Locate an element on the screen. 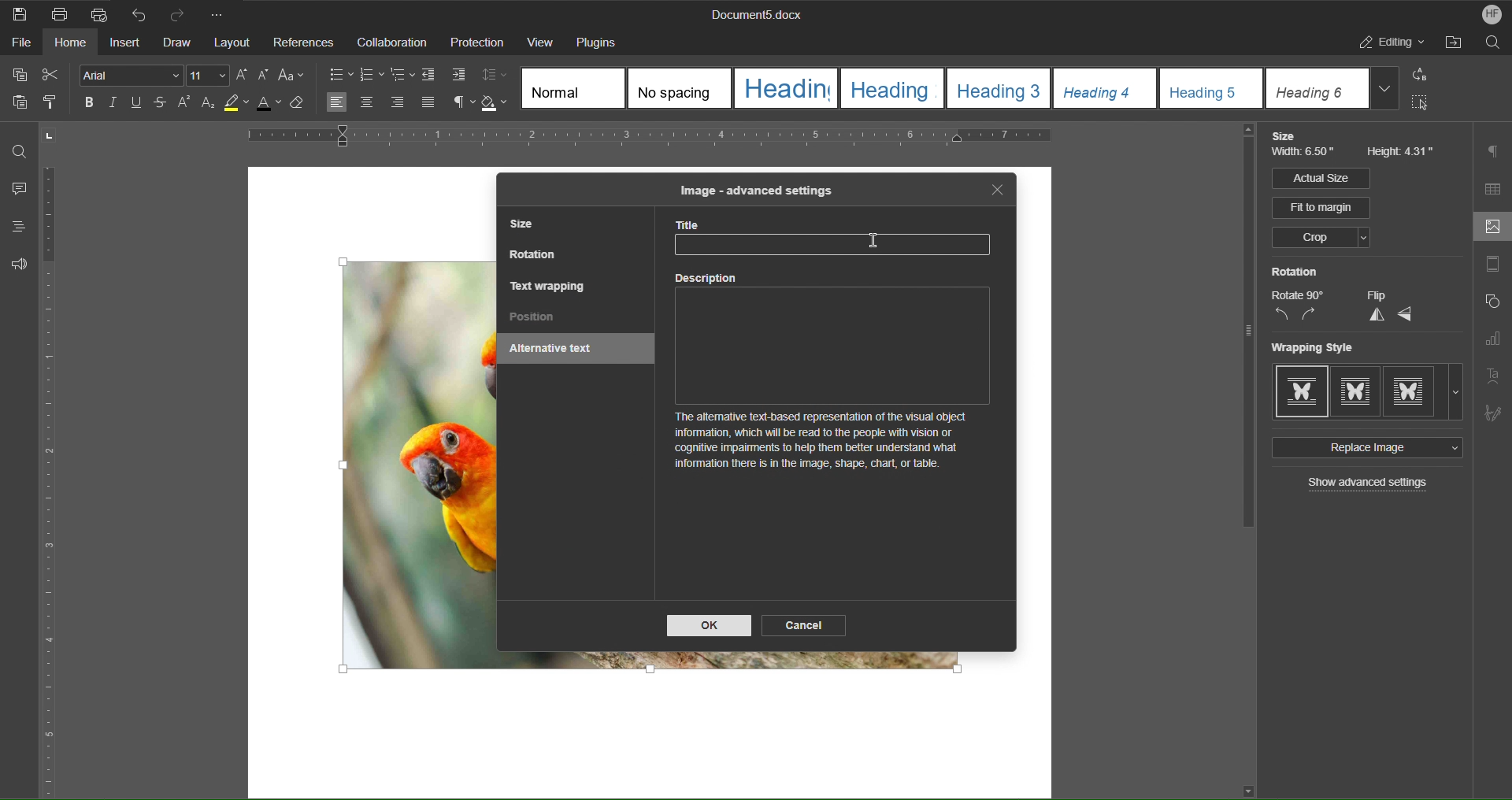 The width and height of the screenshot is (1512, 800). Height is located at coordinates (1402, 153).